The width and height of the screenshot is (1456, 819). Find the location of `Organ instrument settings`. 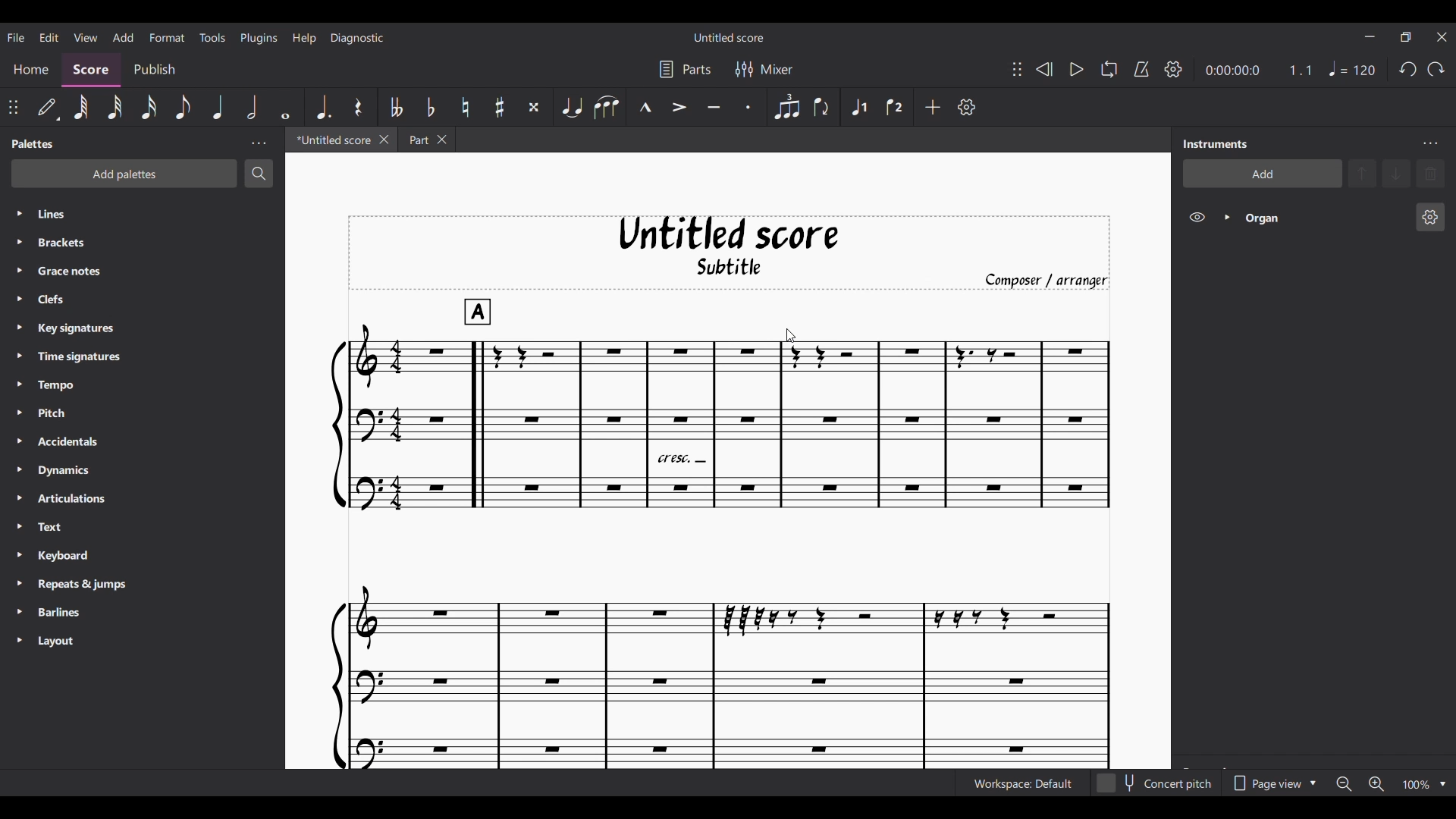

Organ instrument settings is located at coordinates (1430, 217).